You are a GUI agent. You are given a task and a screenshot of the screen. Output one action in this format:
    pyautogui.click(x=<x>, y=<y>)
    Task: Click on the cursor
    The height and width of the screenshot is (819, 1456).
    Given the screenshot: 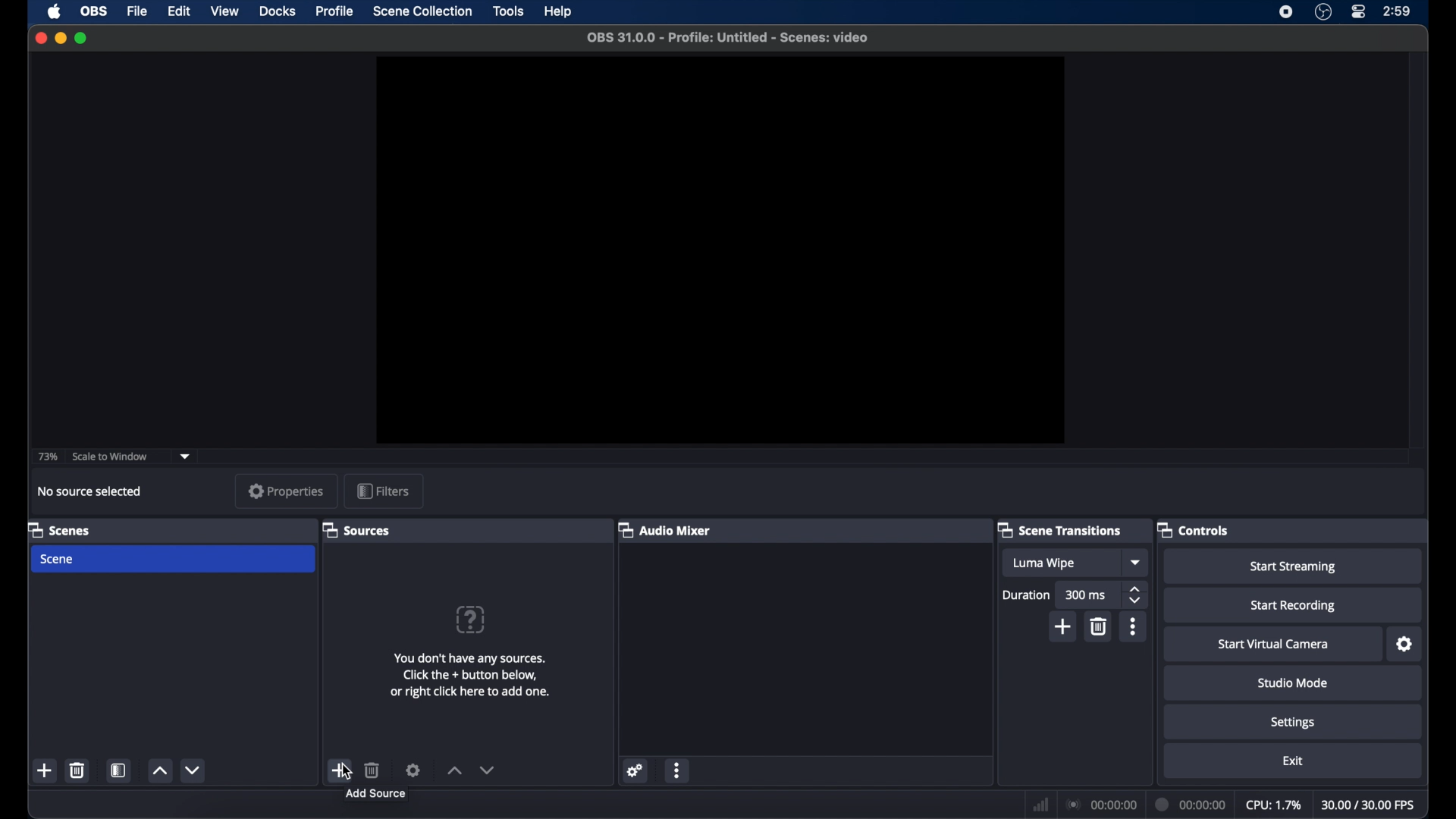 What is the action you would take?
    pyautogui.click(x=347, y=772)
    